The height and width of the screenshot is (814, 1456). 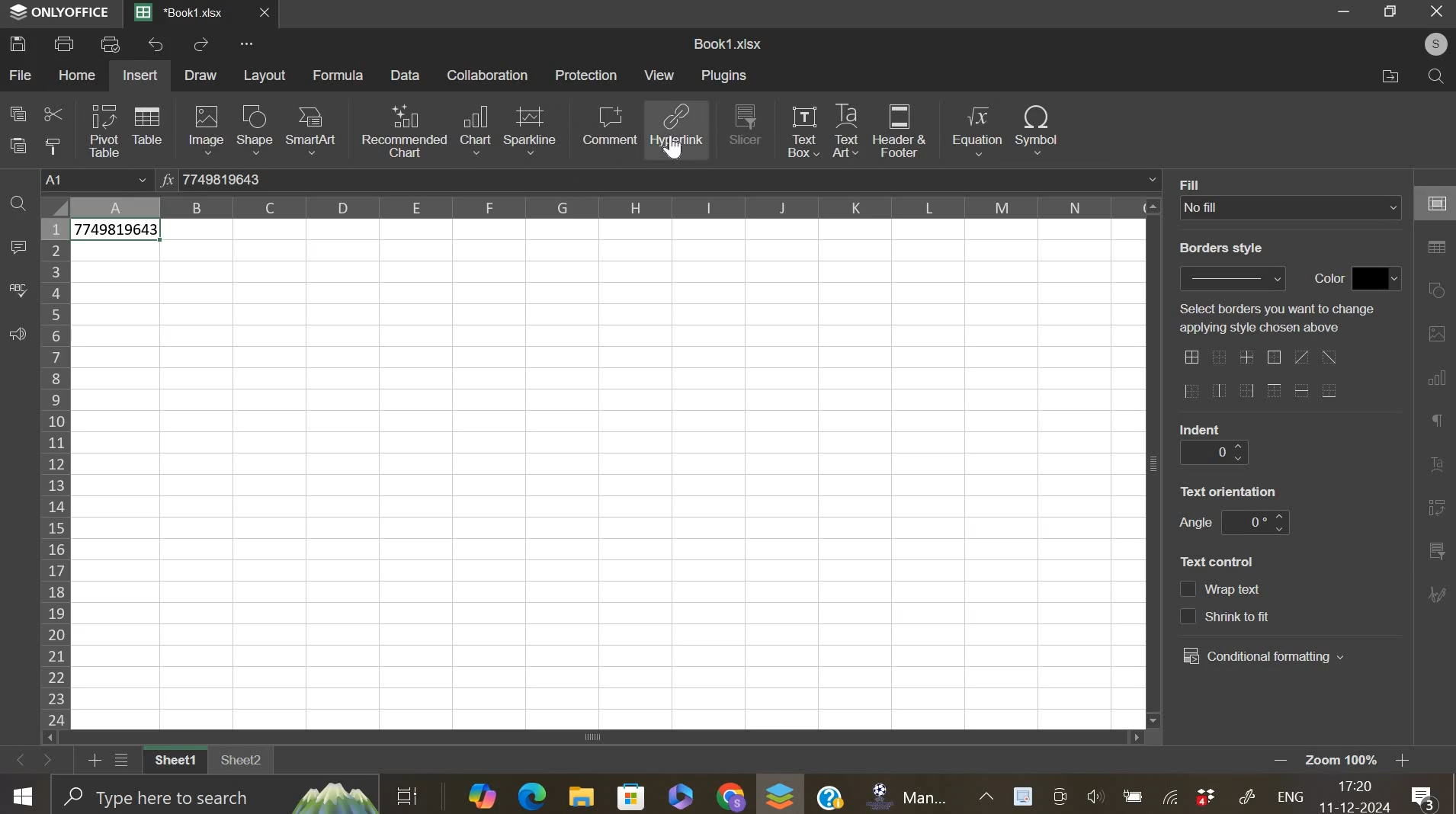 What do you see at coordinates (1155, 460) in the screenshot?
I see `vertical scroll bar` at bounding box center [1155, 460].